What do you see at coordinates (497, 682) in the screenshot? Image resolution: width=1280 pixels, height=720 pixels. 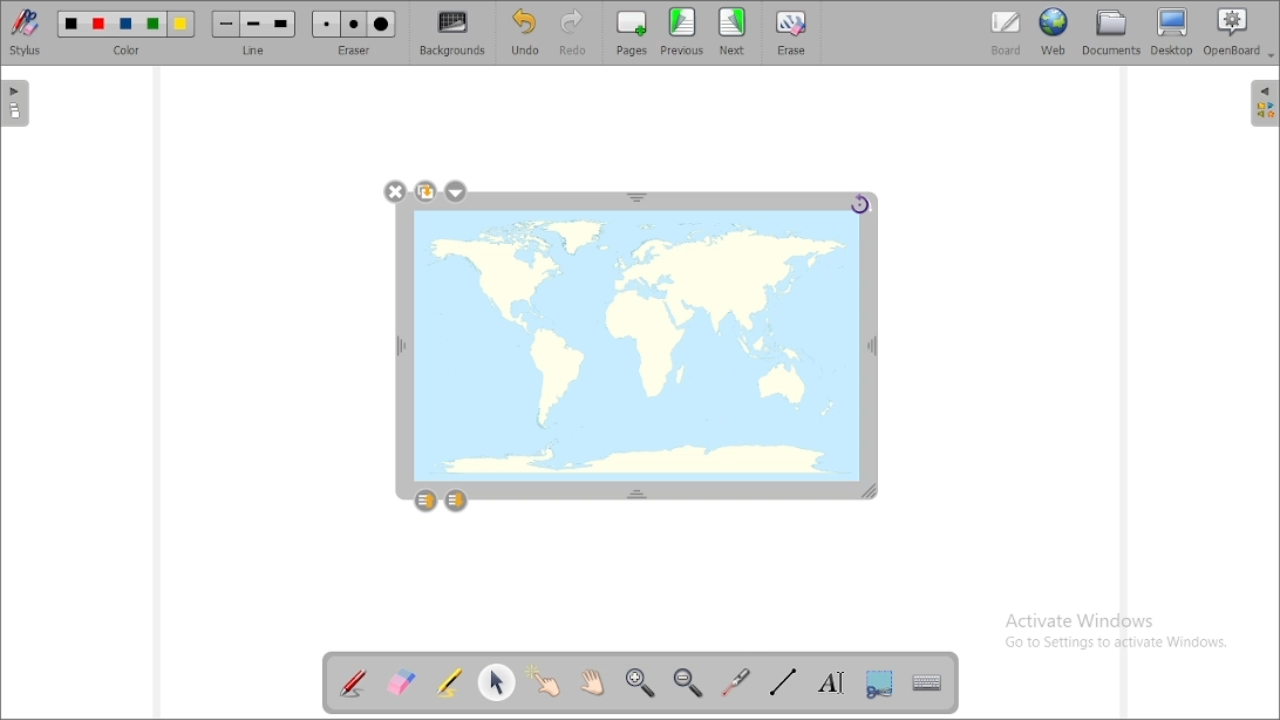 I see `select and modify objects` at bounding box center [497, 682].